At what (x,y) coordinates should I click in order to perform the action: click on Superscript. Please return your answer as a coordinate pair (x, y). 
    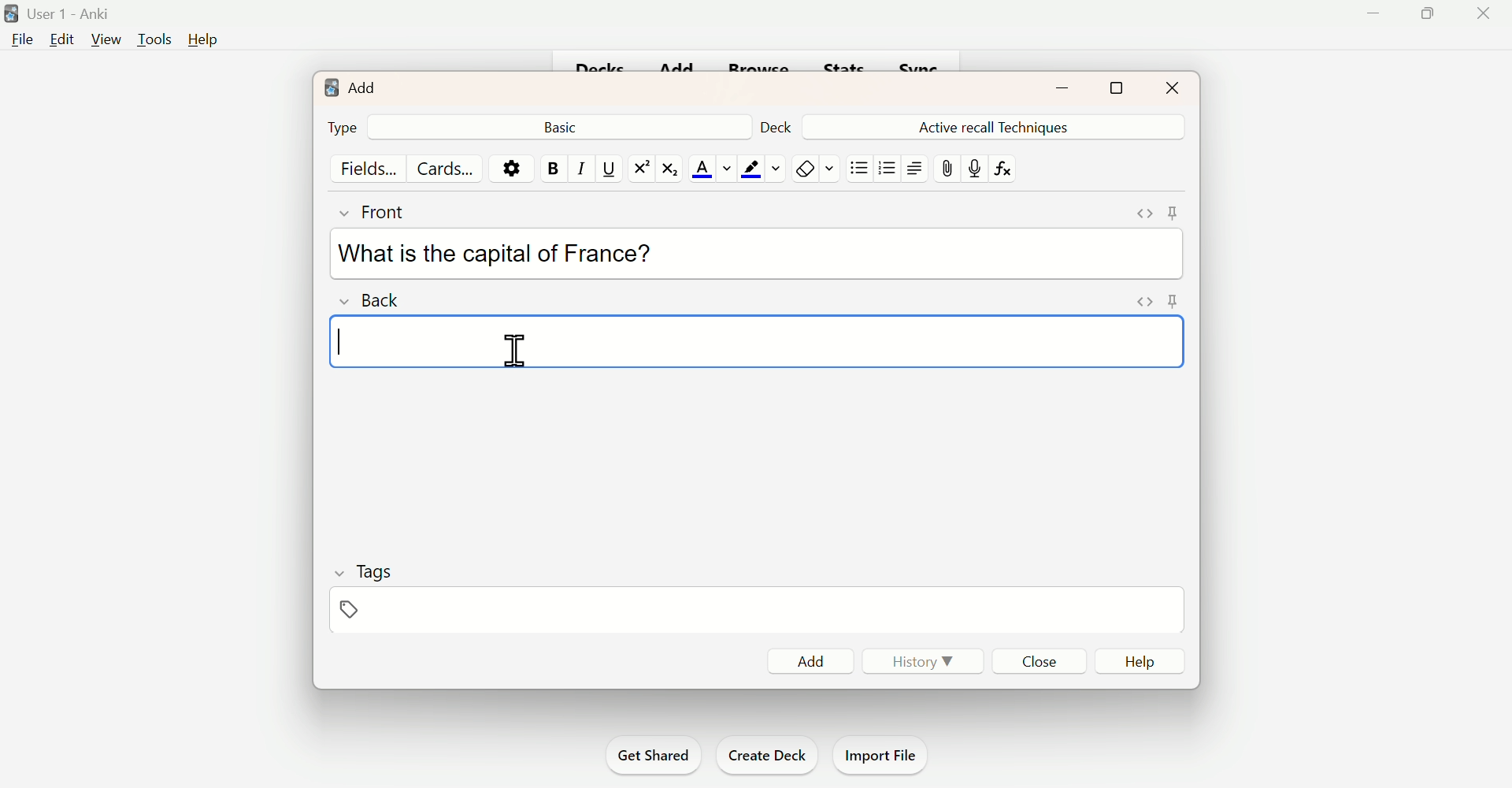
    Looking at the image, I should click on (639, 168).